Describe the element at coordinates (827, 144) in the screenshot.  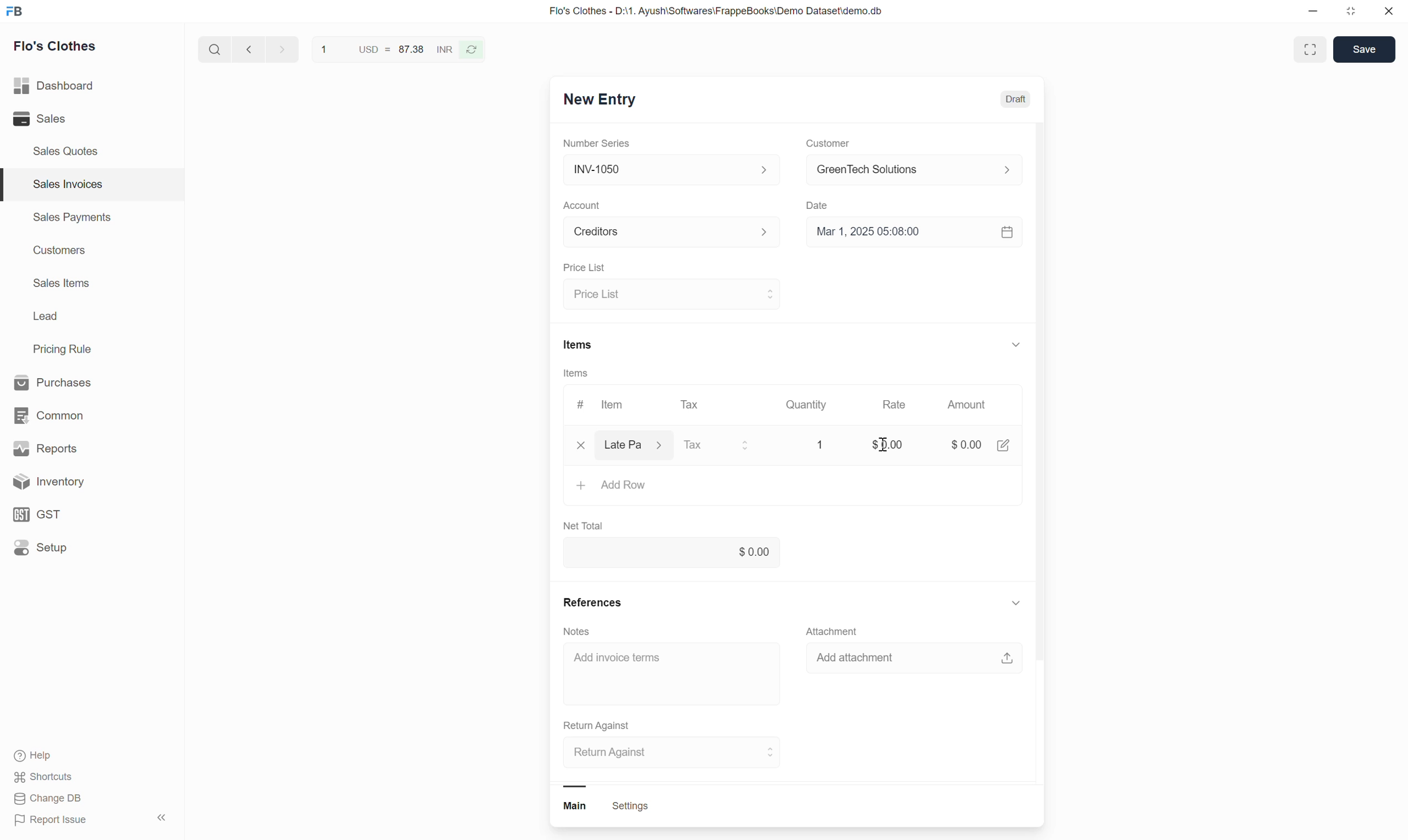
I see `Customer` at that location.